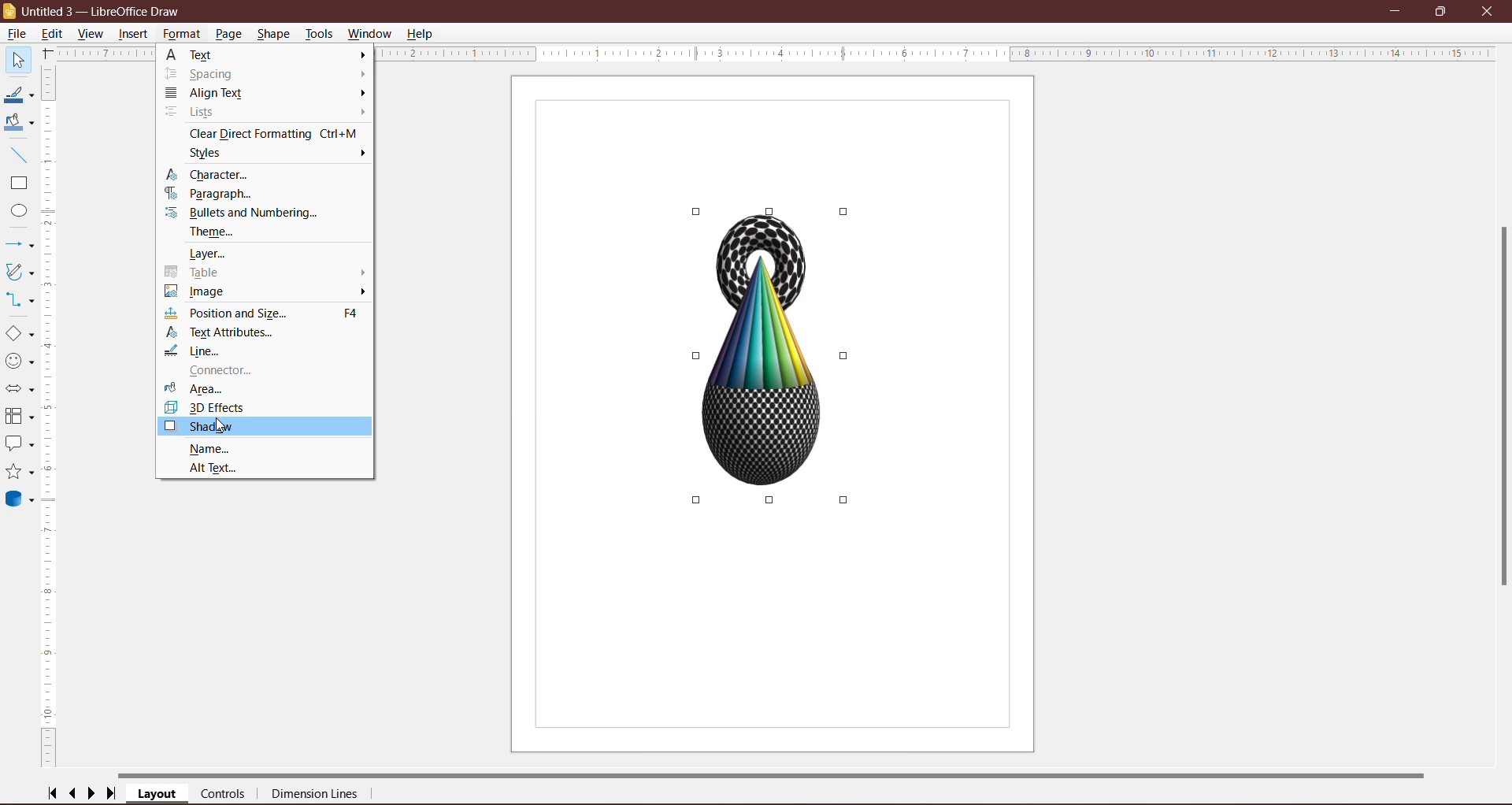 This screenshot has height=805, width=1512. What do you see at coordinates (197, 273) in the screenshot?
I see `Table` at bounding box center [197, 273].